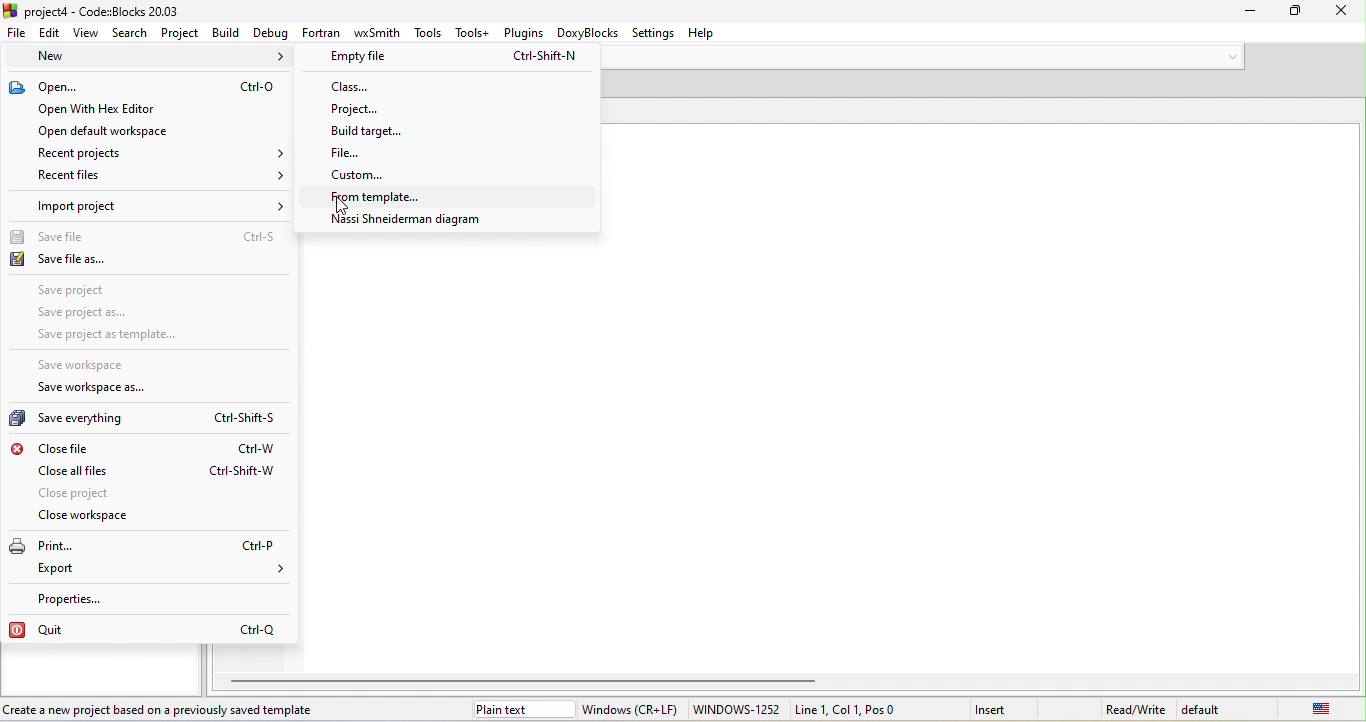 The height and width of the screenshot is (722, 1366). What do you see at coordinates (379, 131) in the screenshot?
I see `build targrt` at bounding box center [379, 131].